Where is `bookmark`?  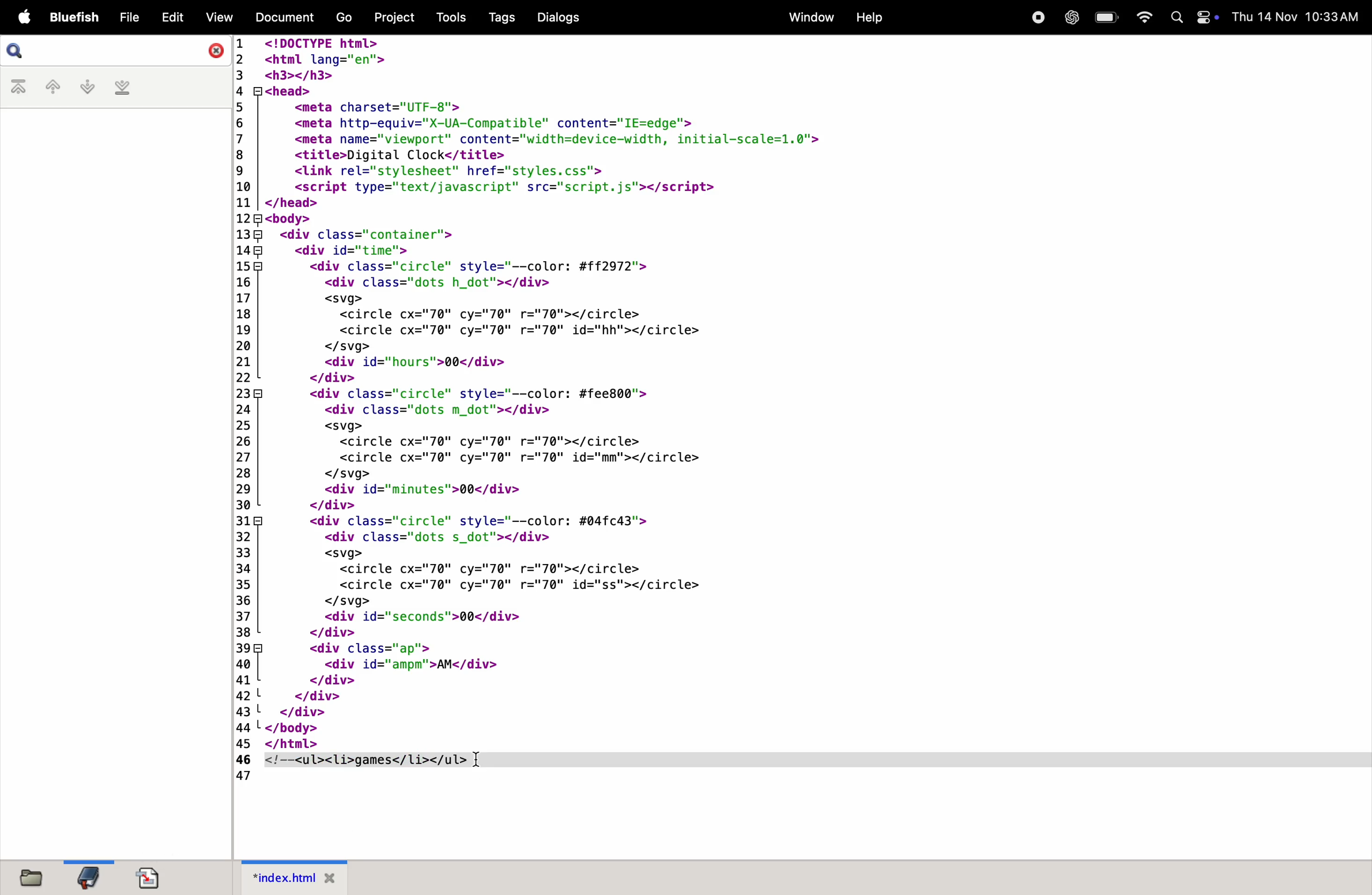 bookmark is located at coordinates (85, 877).